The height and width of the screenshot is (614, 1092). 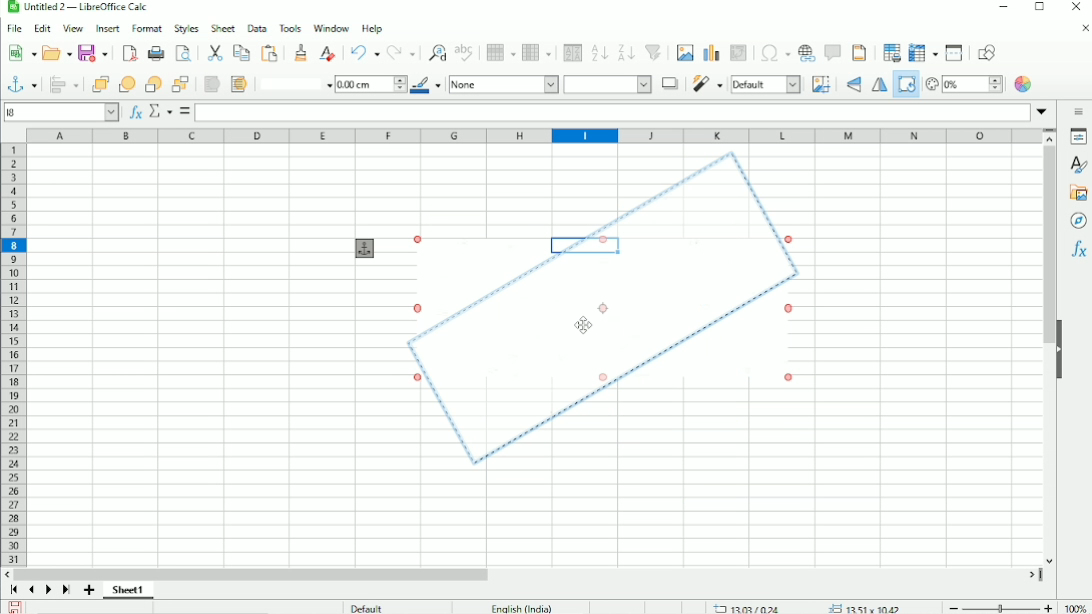 I want to click on Expand formula bar, so click(x=1042, y=110).